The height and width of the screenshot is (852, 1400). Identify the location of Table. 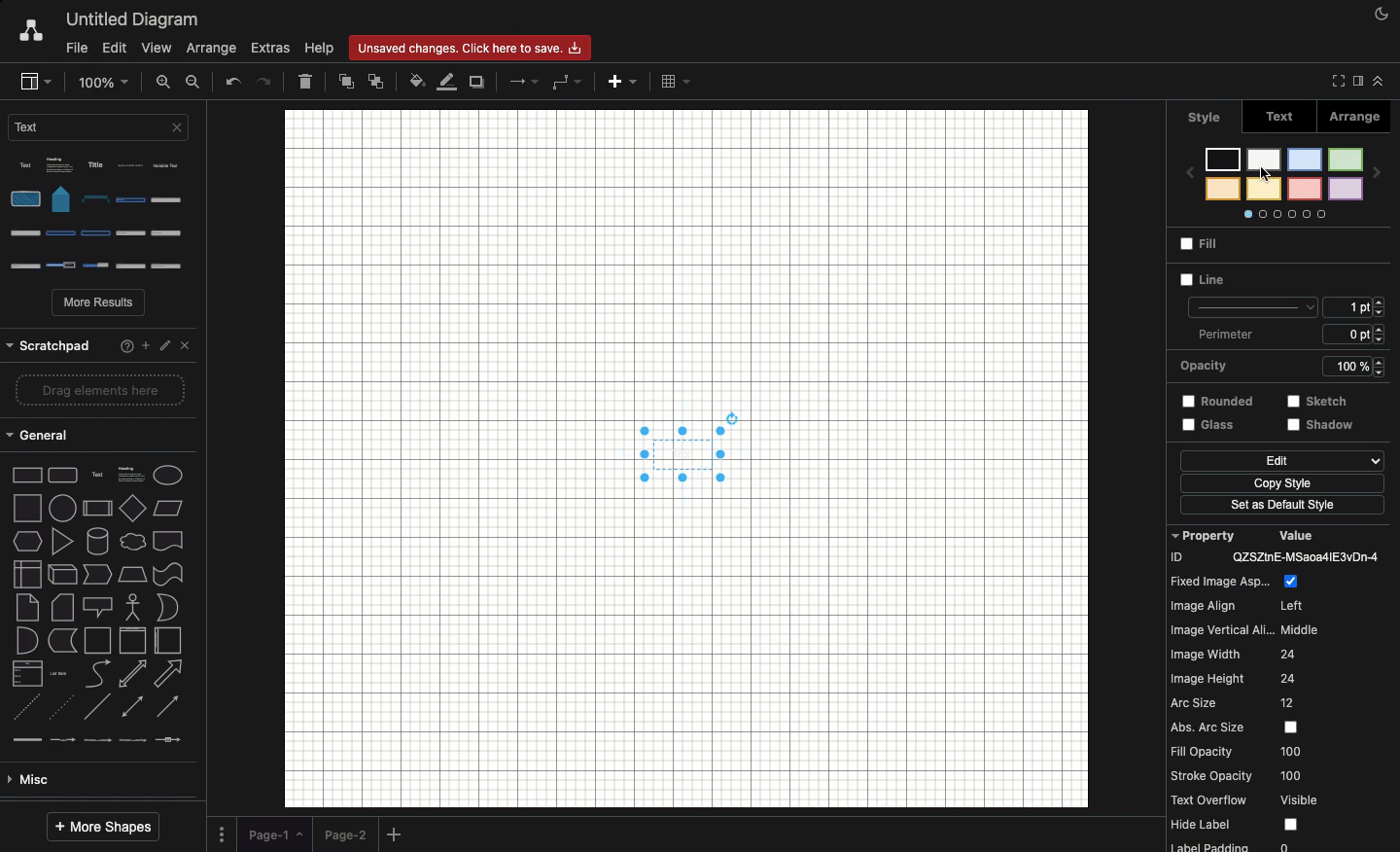
(675, 81).